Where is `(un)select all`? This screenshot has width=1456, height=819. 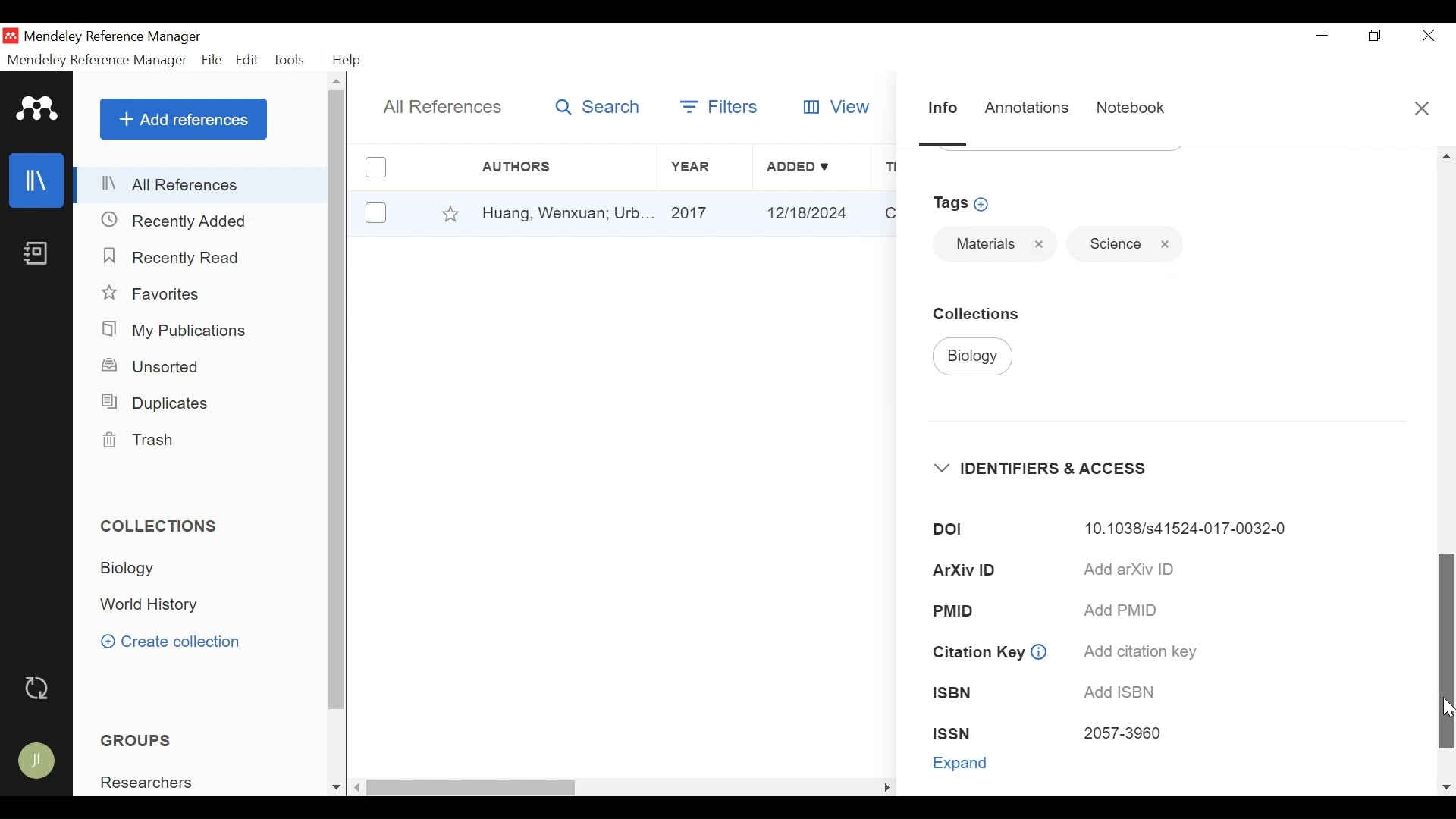
(un)select all is located at coordinates (375, 167).